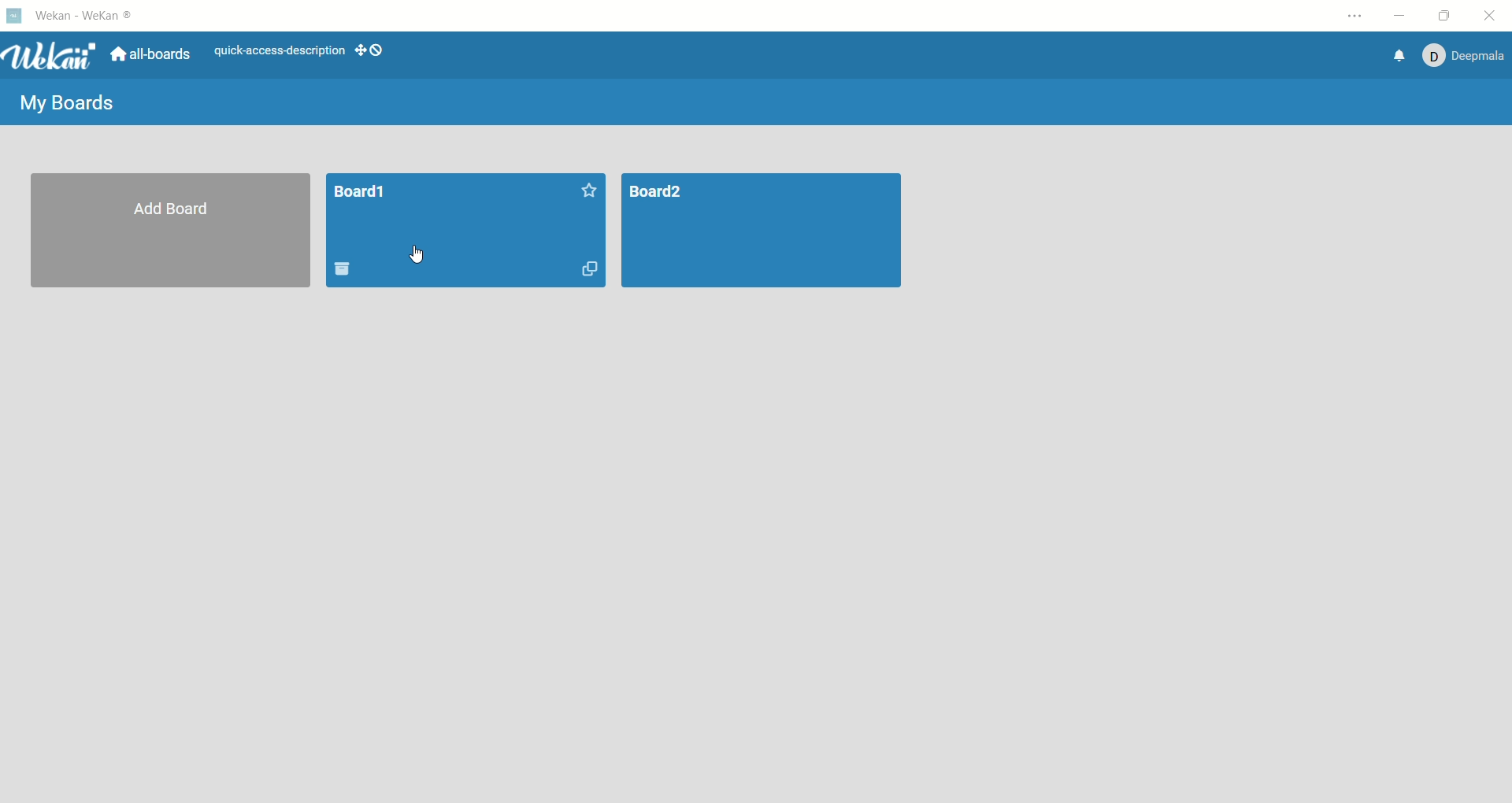 This screenshot has width=1512, height=803. What do you see at coordinates (760, 231) in the screenshot?
I see `board2` at bounding box center [760, 231].